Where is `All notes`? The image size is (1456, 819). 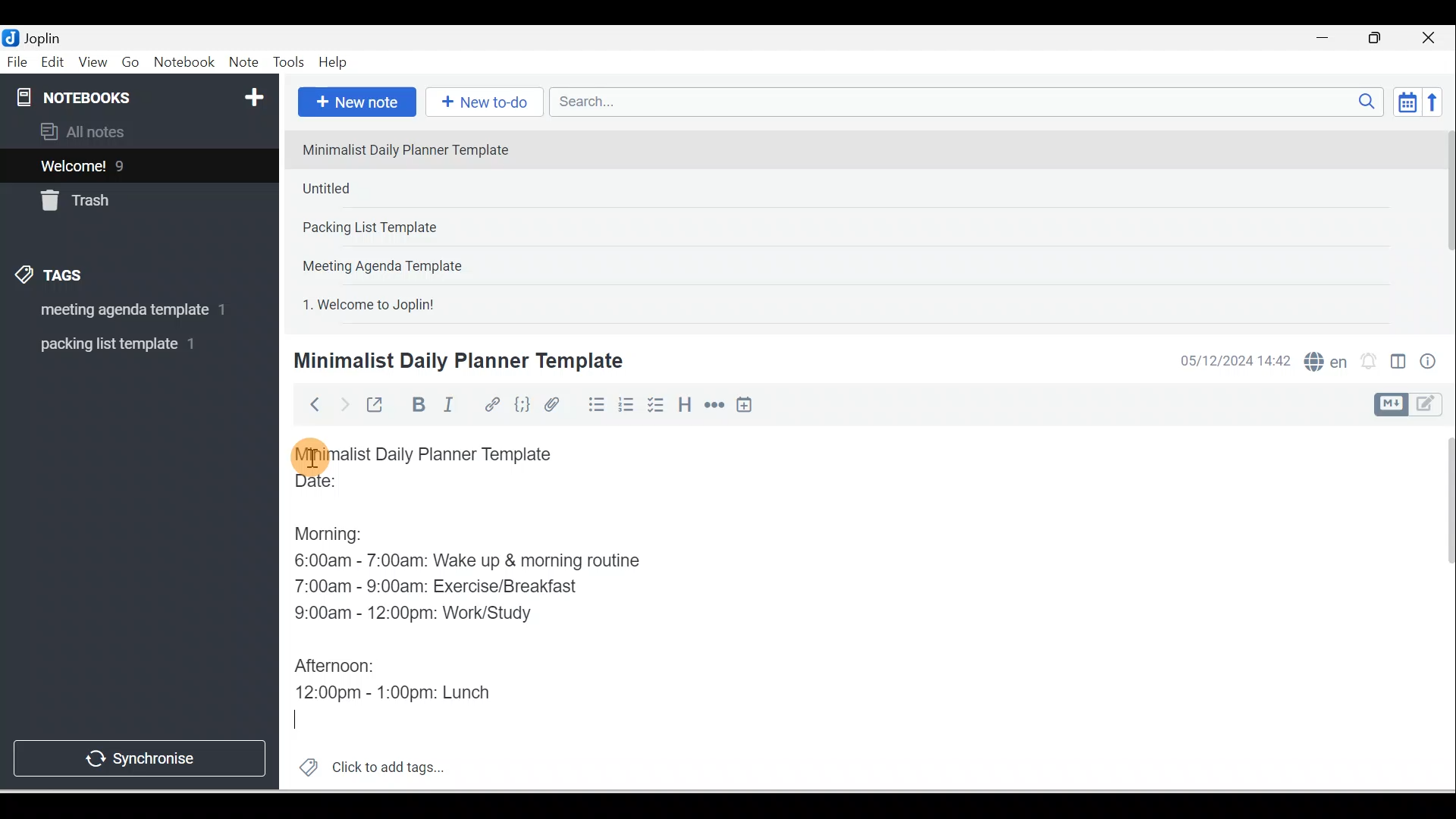 All notes is located at coordinates (137, 131).